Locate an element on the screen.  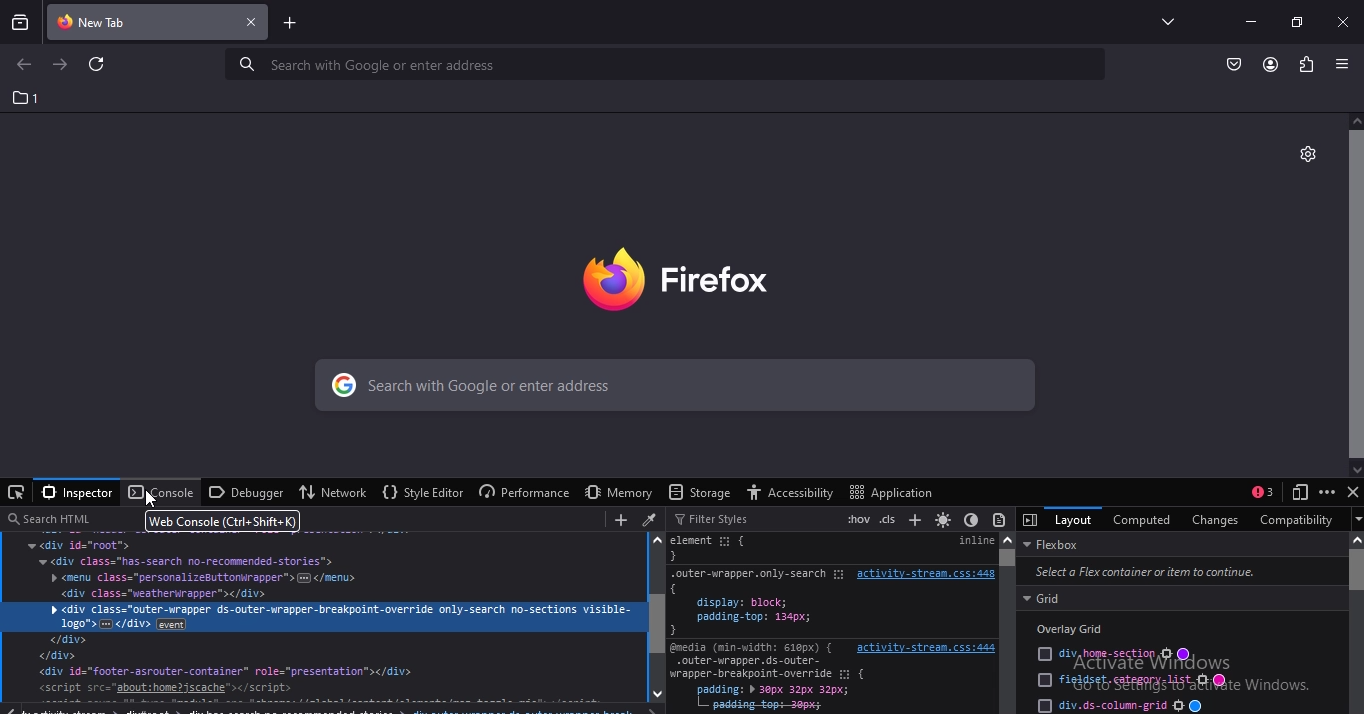
text is located at coordinates (1168, 623).